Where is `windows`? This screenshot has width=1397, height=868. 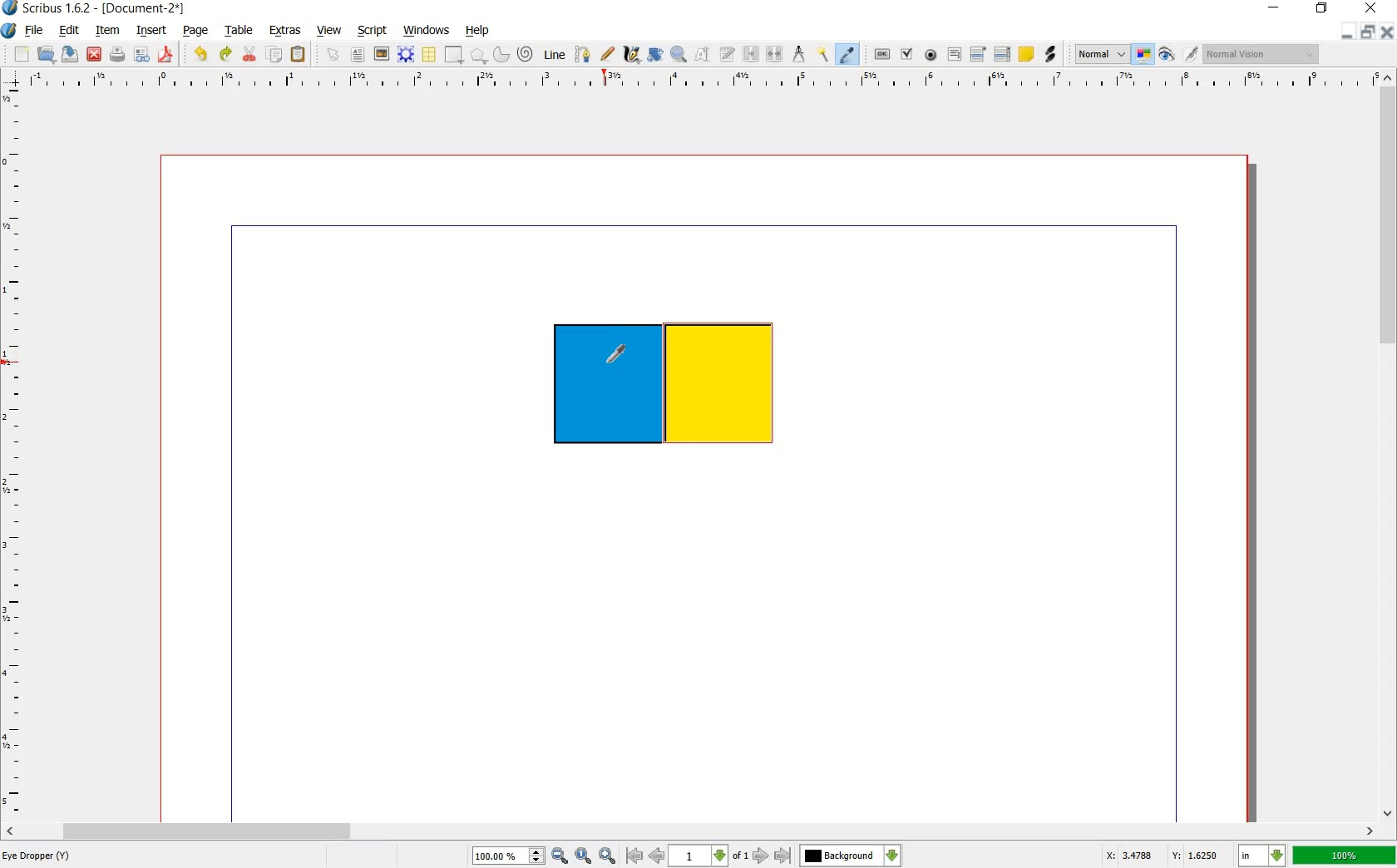
windows is located at coordinates (428, 31).